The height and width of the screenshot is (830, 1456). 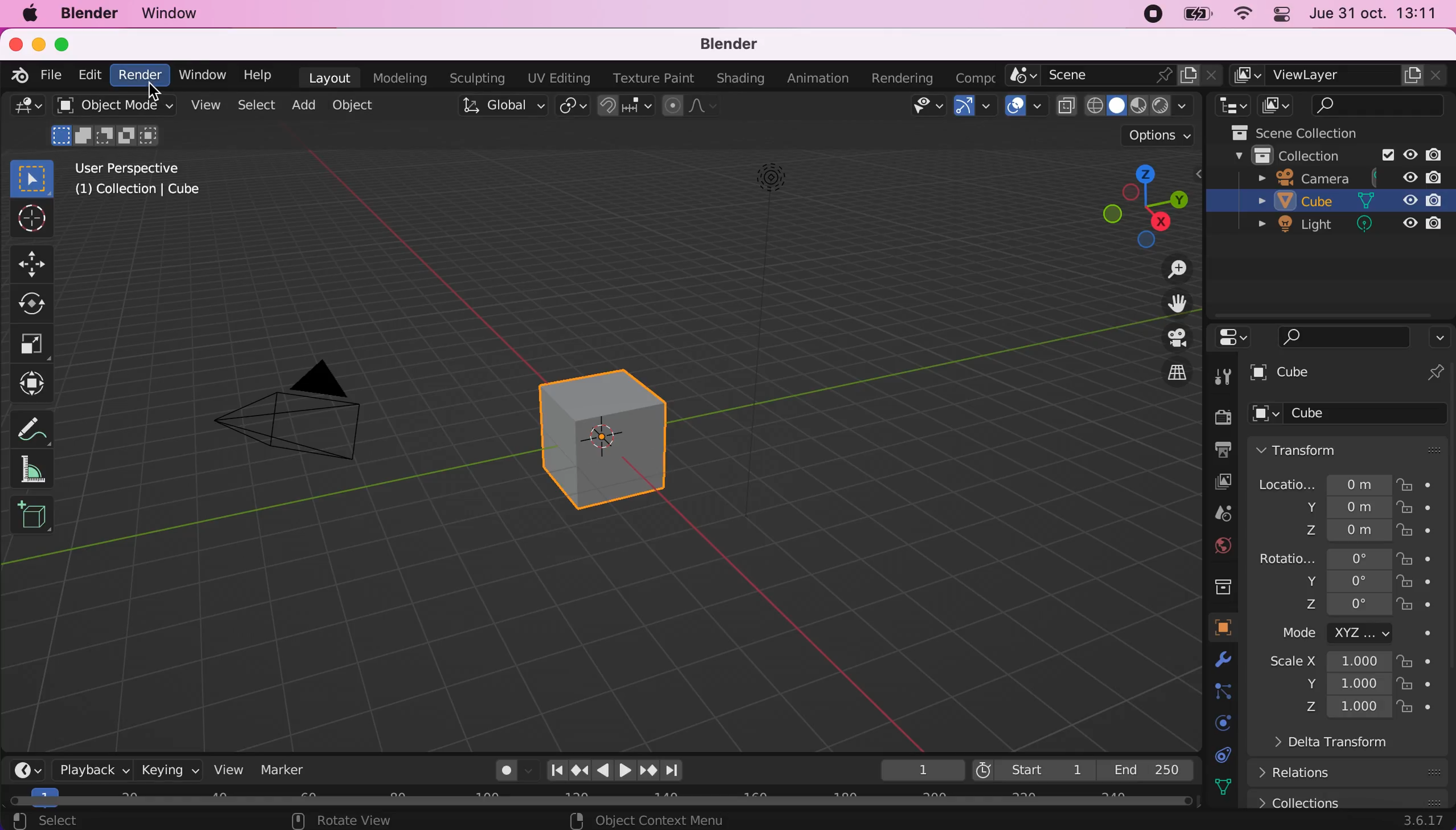 I want to click on recording stopped, so click(x=1150, y=15).